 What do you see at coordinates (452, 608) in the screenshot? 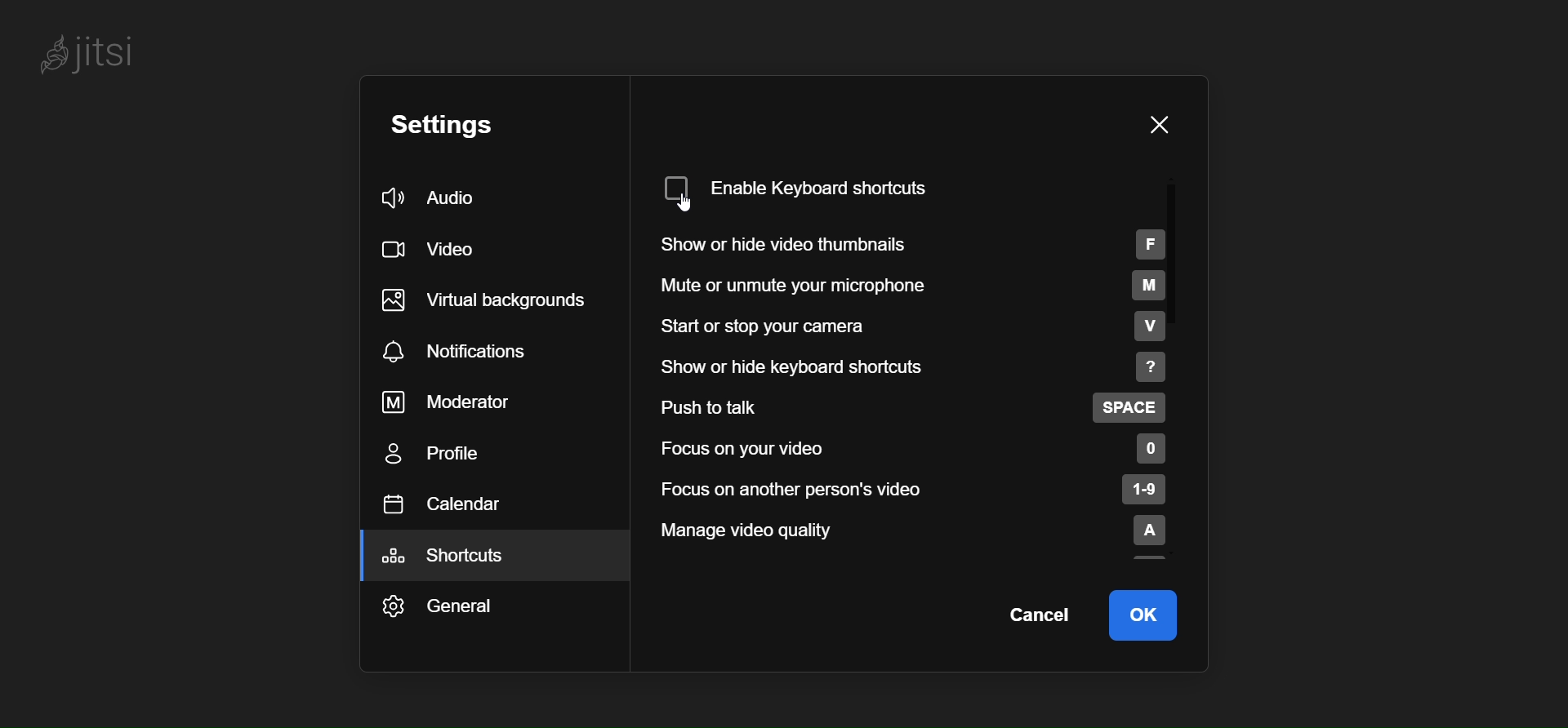
I see `general` at bounding box center [452, 608].